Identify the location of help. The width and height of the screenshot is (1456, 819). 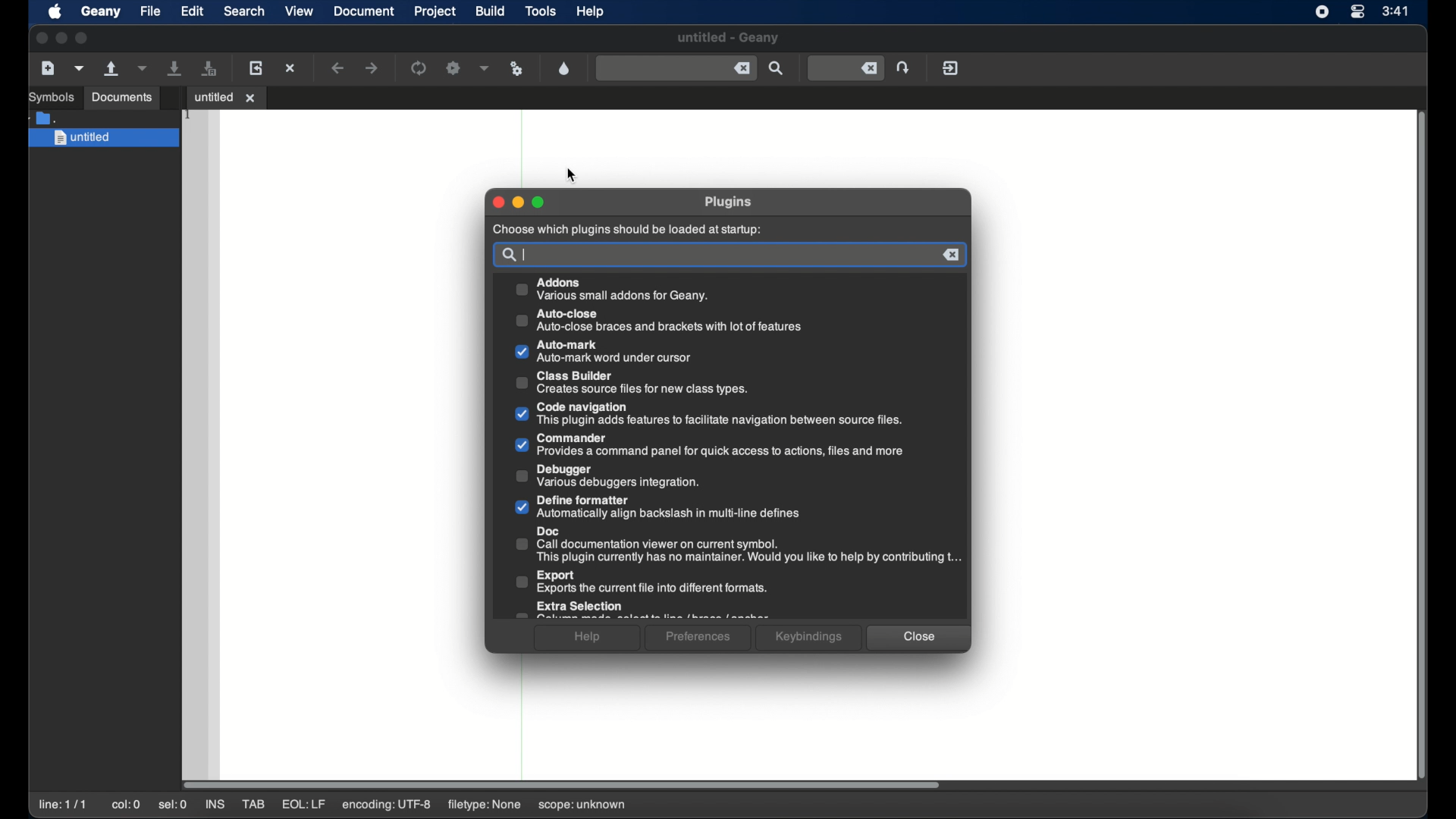
(591, 11).